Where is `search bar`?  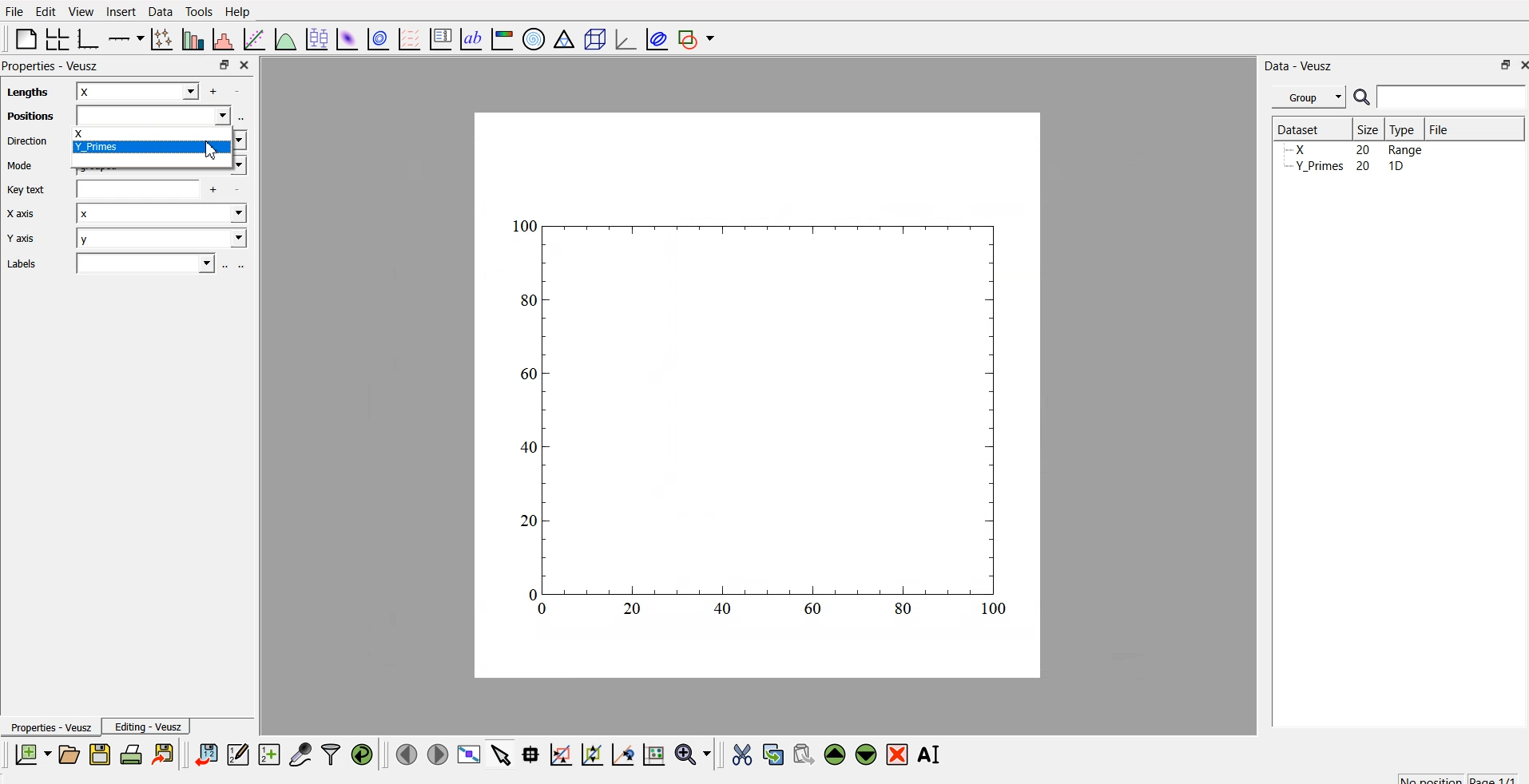
search bar is located at coordinates (1452, 97).